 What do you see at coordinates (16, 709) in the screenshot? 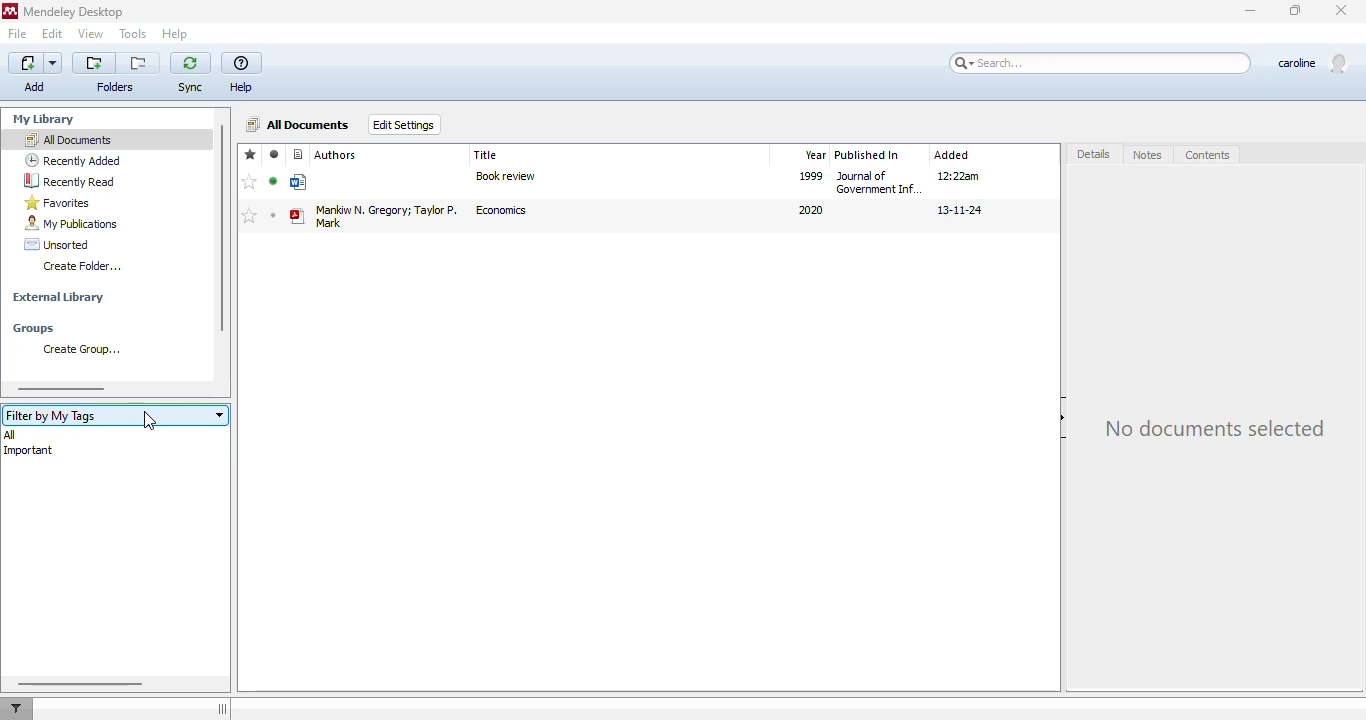
I see `filter documents by author, tag or publication` at bounding box center [16, 709].